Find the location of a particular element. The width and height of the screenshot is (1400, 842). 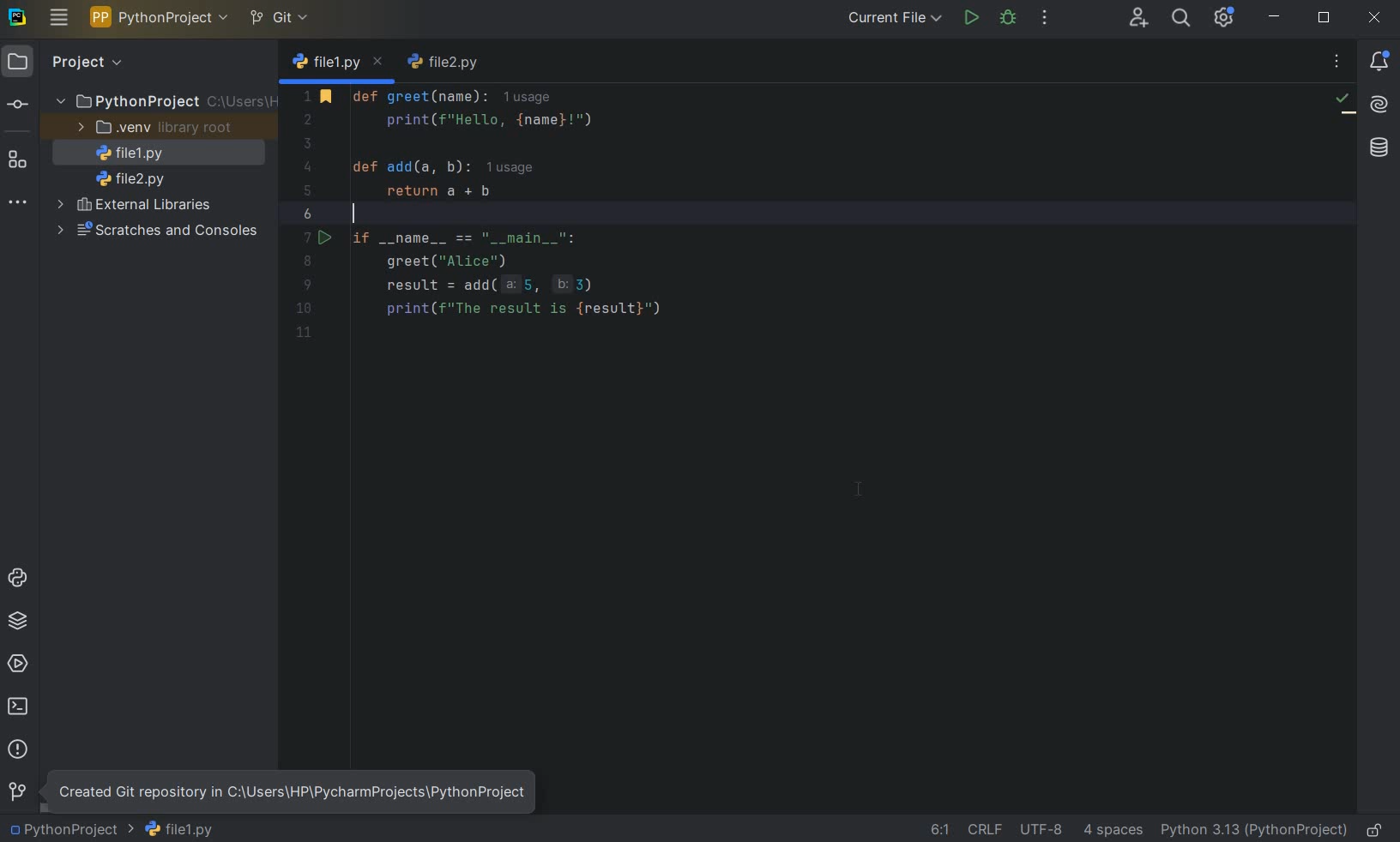

notifications is located at coordinates (1380, 62).